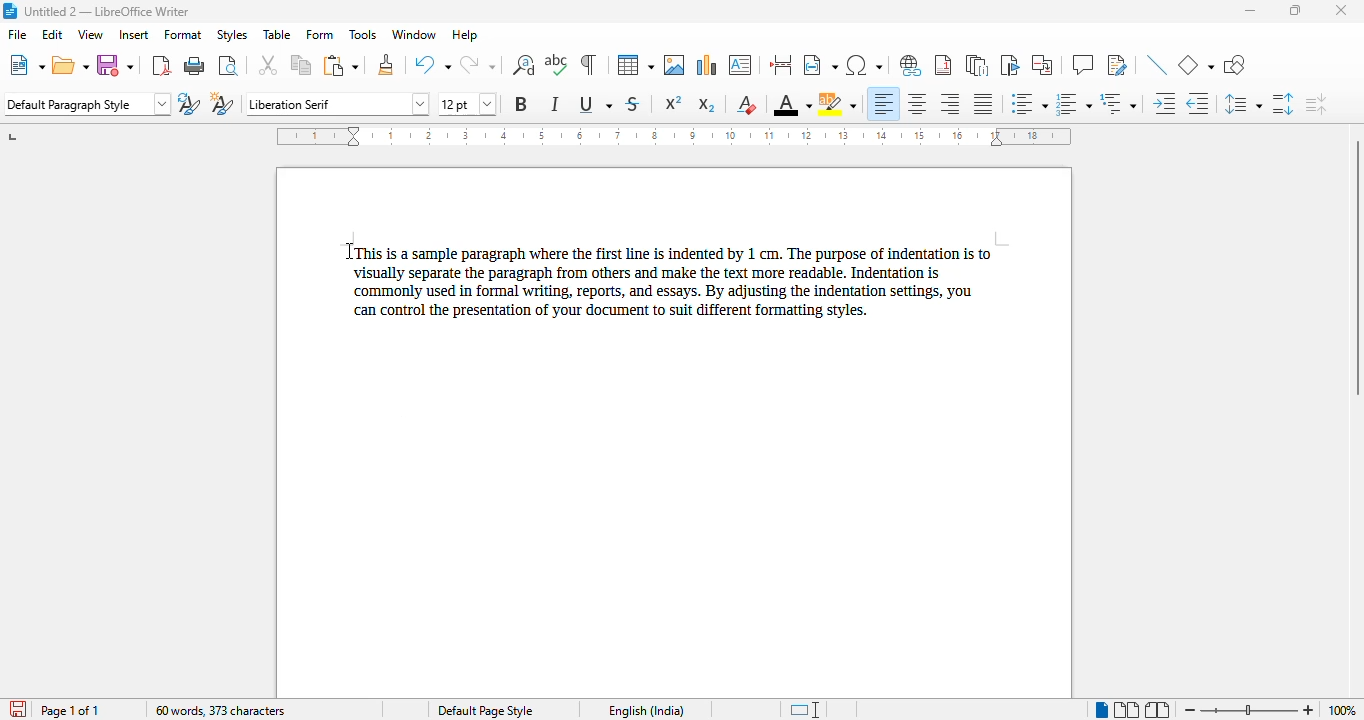 The height and width of the screenshot is (720, 1364). Describe the element at coordinates (106, 10) in the screenshot. I see `title` at that location.